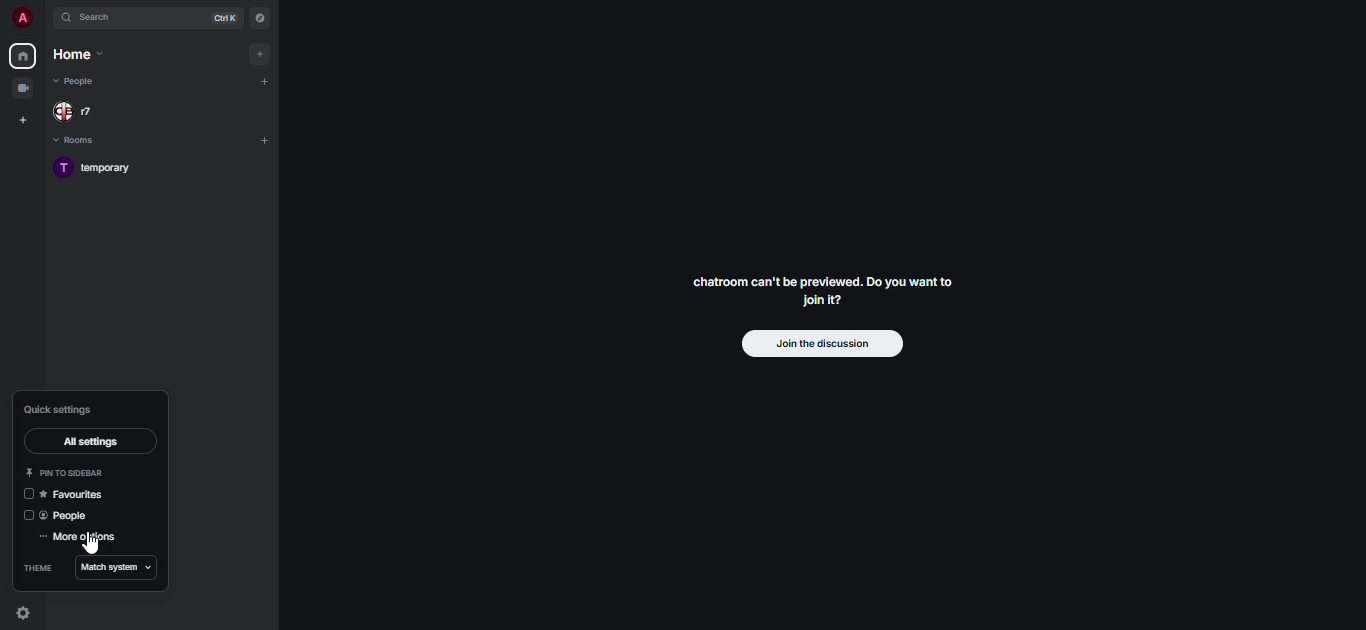 The image size is (1366, 630). What do you see at coordinates (260, 55) in the screenshot?
I see `add` at bounding box center [260, 55].